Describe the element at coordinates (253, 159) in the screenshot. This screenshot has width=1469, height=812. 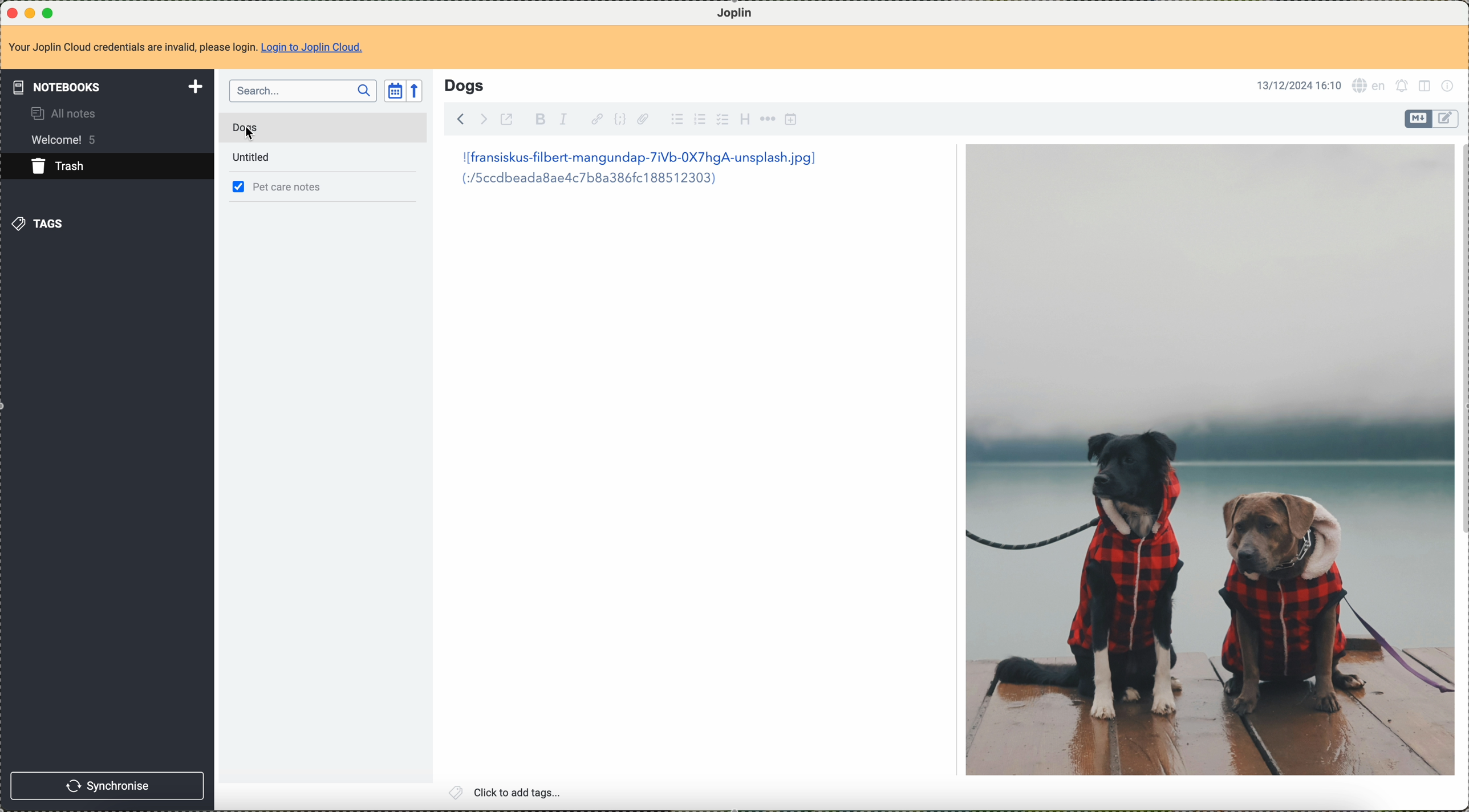
I see `untitled` at that location.